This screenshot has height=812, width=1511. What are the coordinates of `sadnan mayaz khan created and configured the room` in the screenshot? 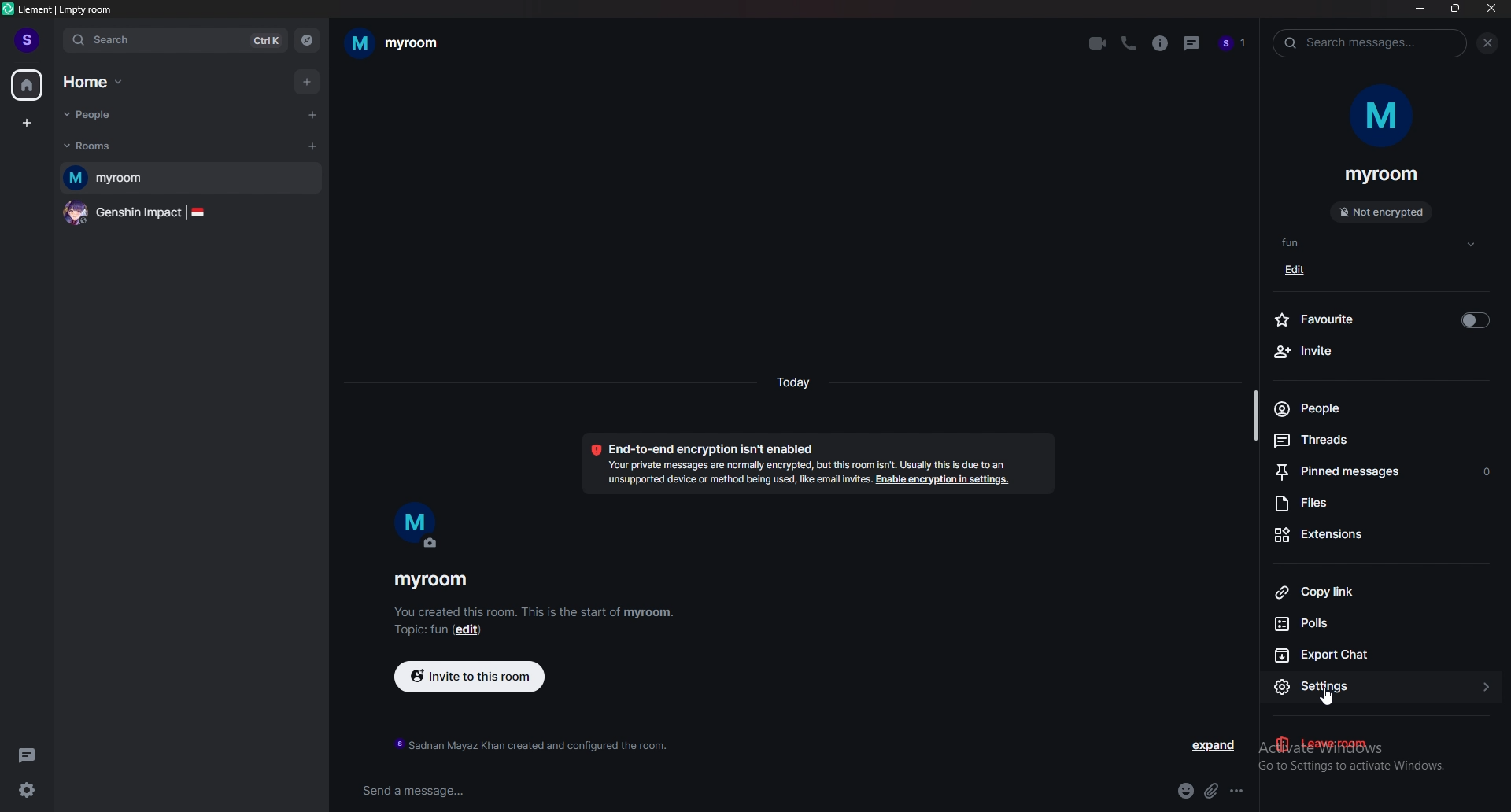 It's located at (531, 744).